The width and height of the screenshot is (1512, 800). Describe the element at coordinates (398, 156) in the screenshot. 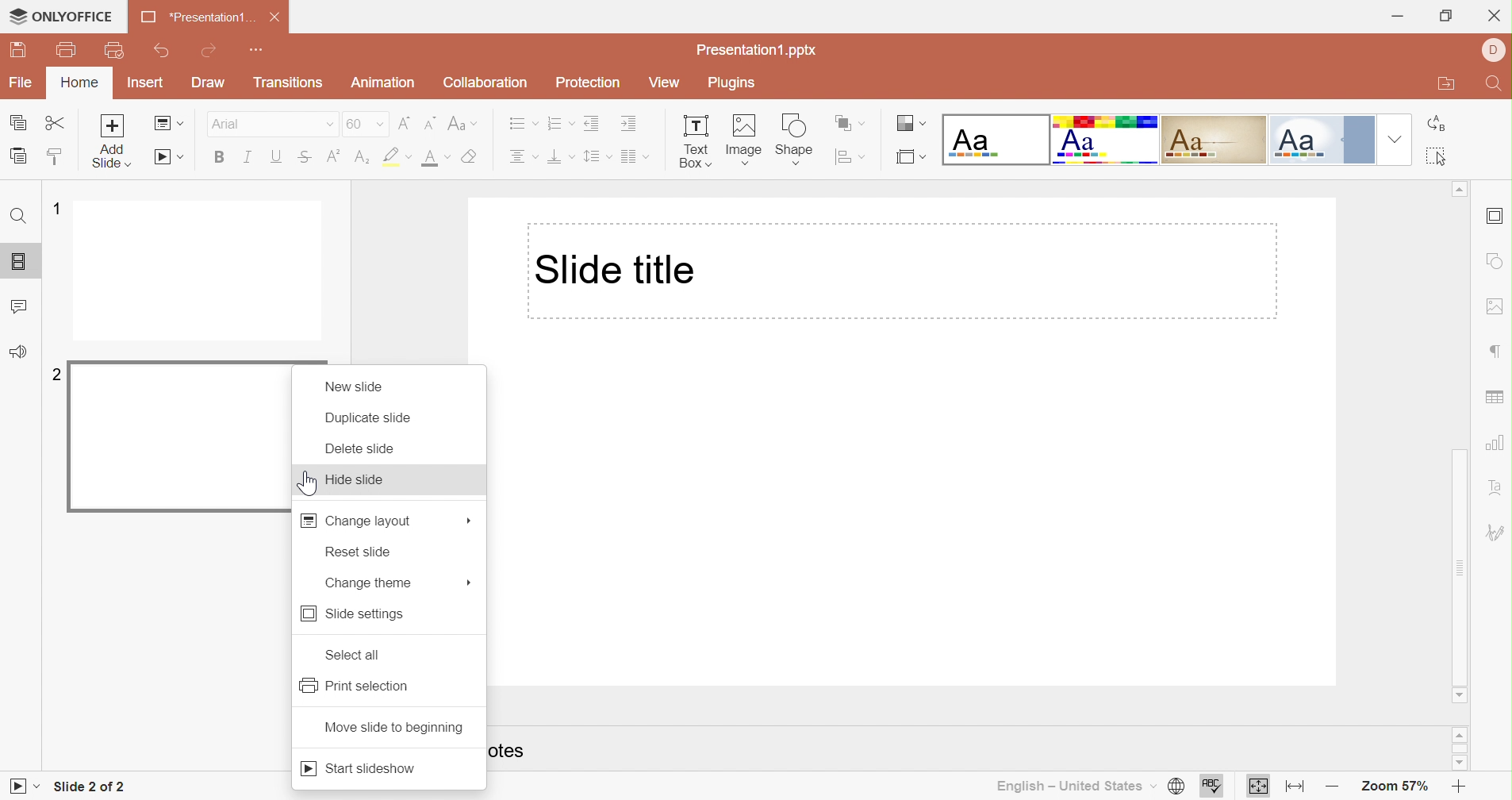

I see `Highlight color` at that location.